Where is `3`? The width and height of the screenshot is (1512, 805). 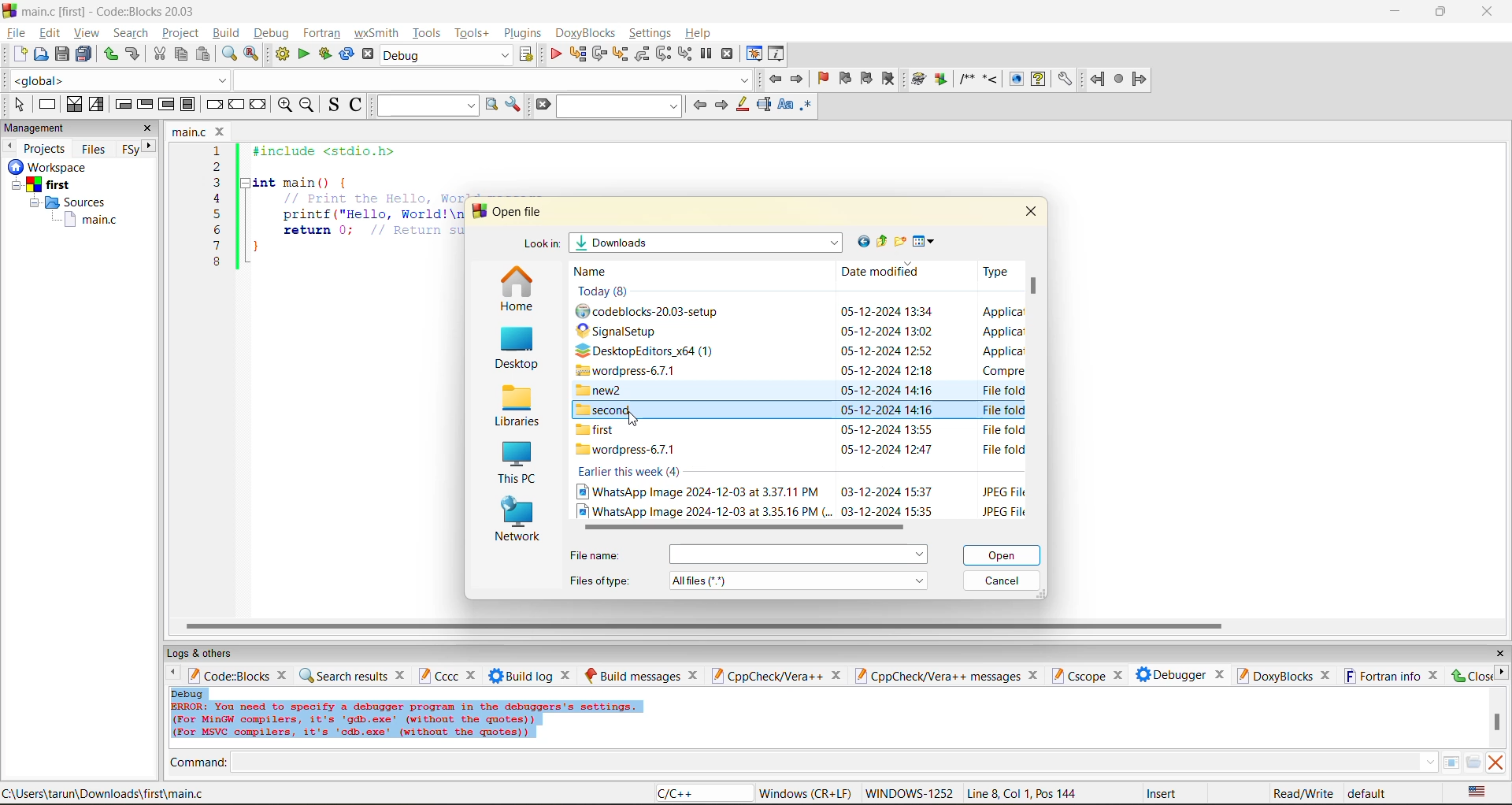
3 is located at coordinates (217, 182).